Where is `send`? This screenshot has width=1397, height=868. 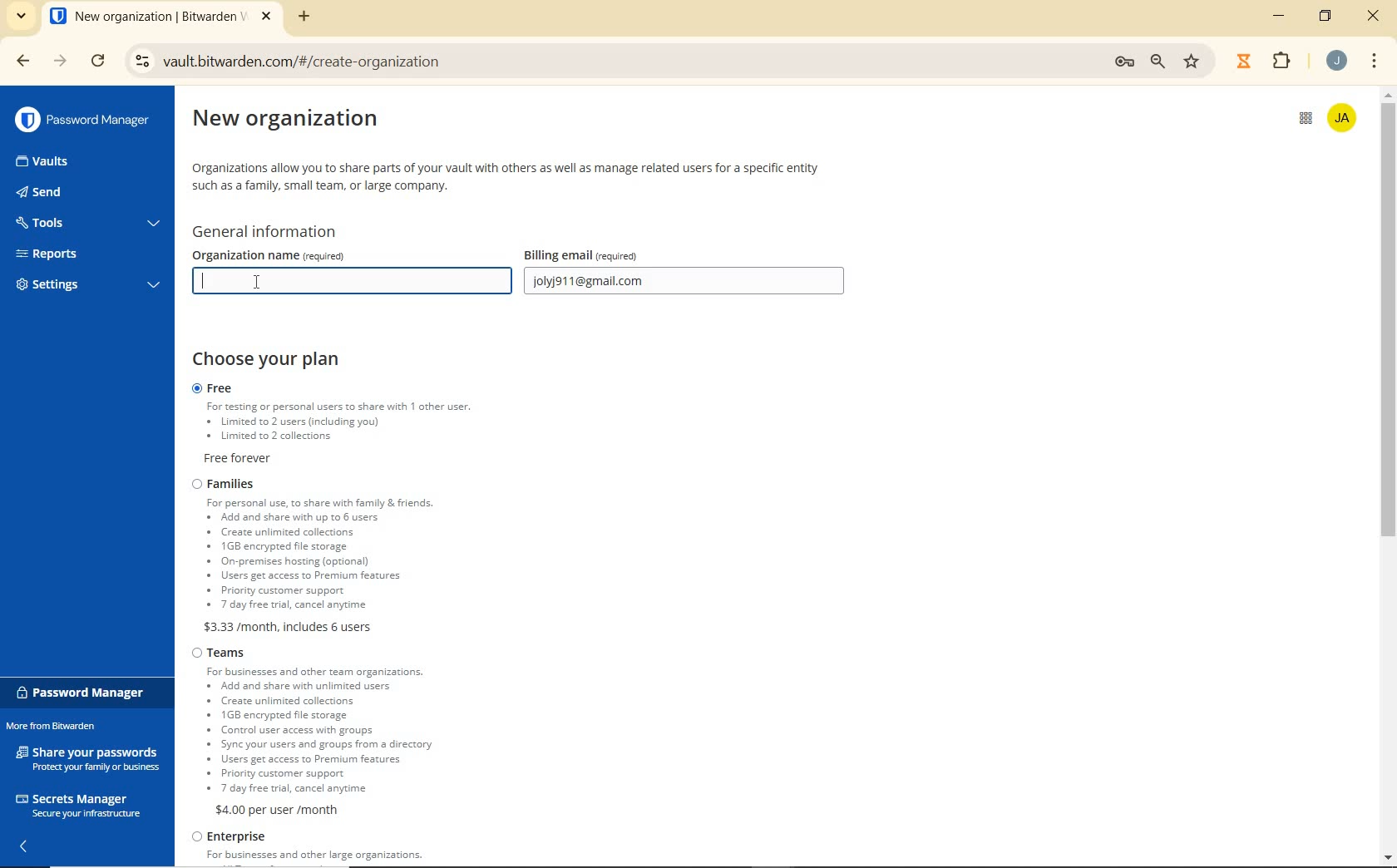
send is located at coordinates (67, 194).